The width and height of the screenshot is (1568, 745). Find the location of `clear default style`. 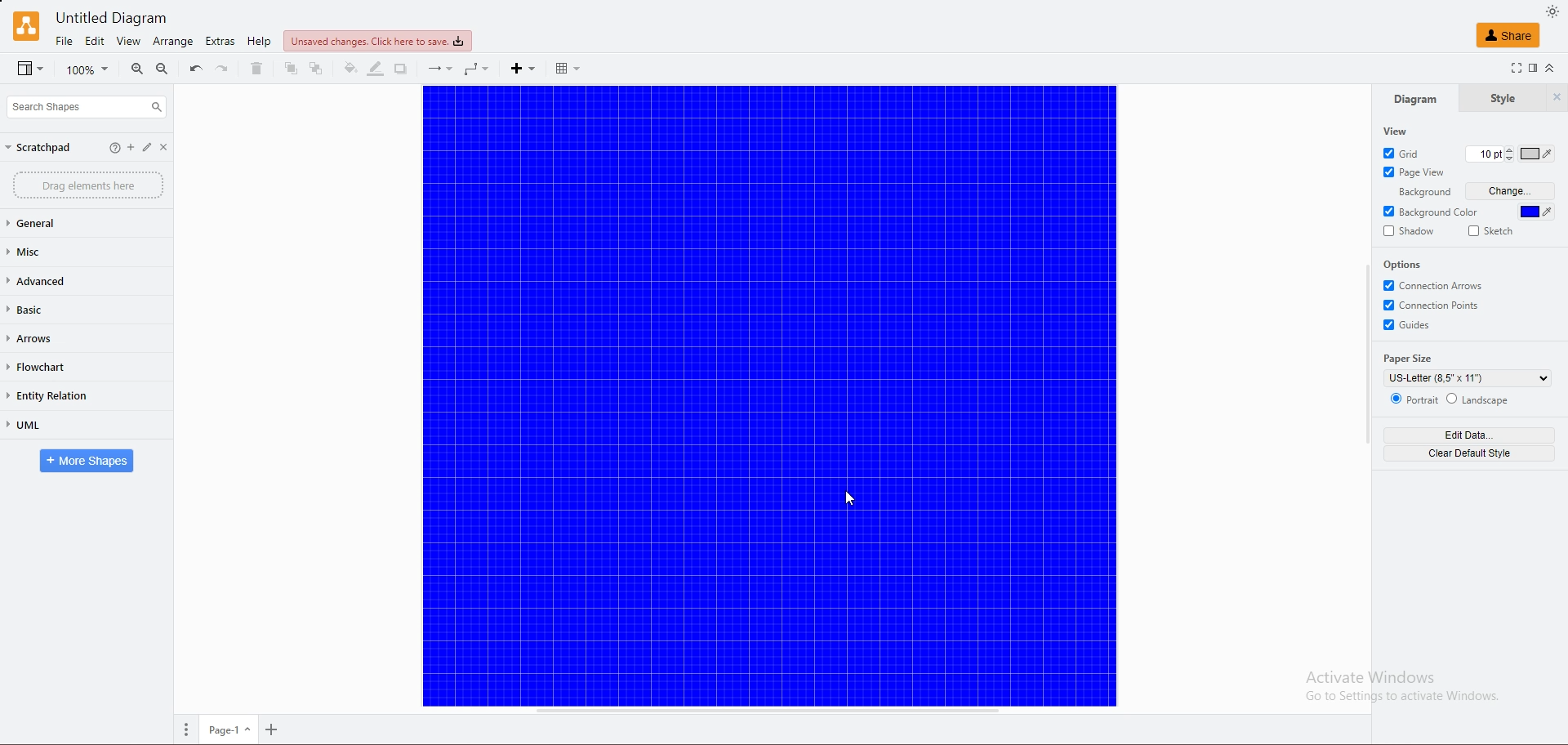

clear default style is located at coordinates (1472, 453).